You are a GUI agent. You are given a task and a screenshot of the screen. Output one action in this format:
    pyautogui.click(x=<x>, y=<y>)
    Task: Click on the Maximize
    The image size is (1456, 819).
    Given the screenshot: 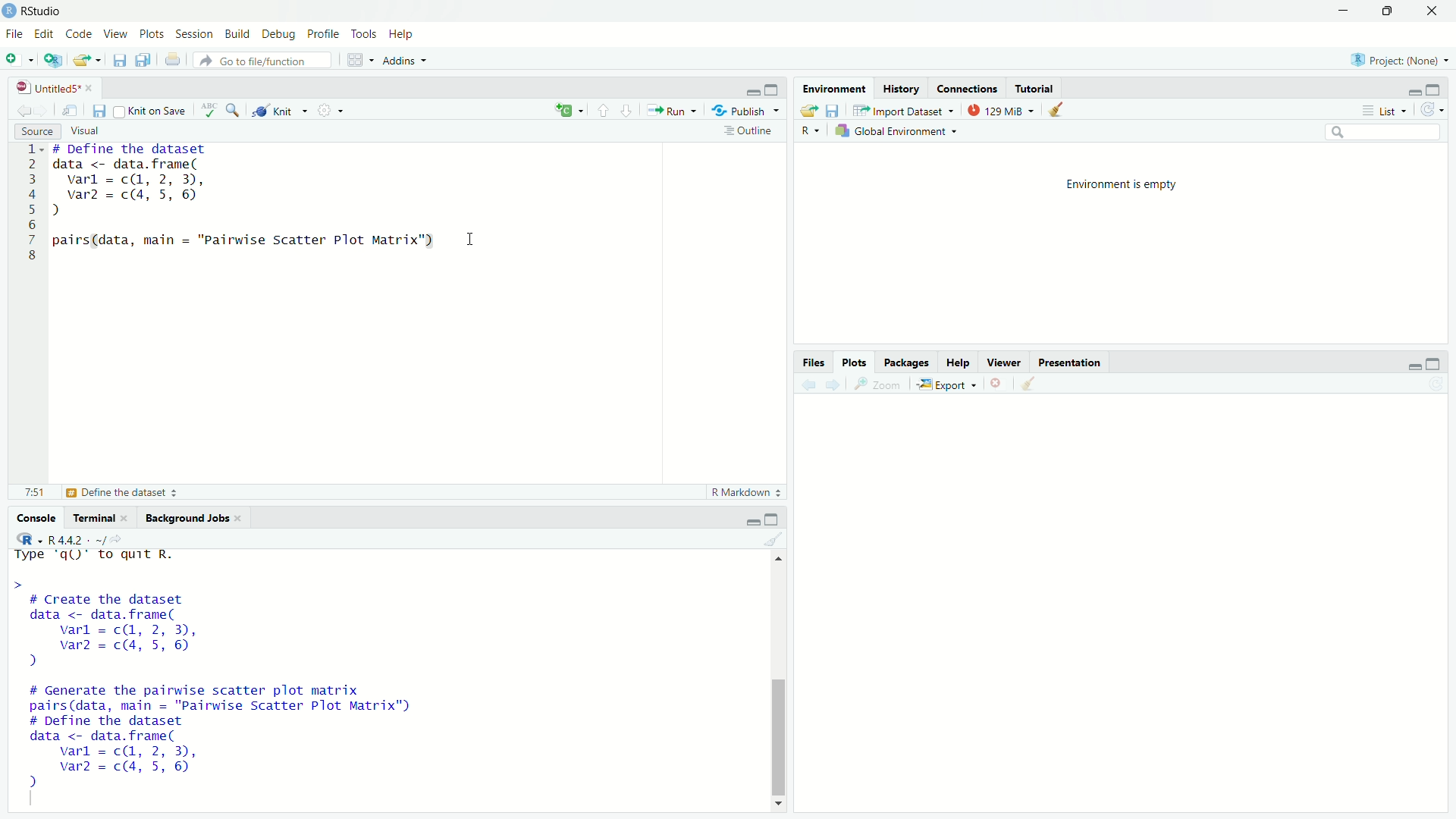 What is the action you would take?
    pyautogui.click(x=774, y=519)
    